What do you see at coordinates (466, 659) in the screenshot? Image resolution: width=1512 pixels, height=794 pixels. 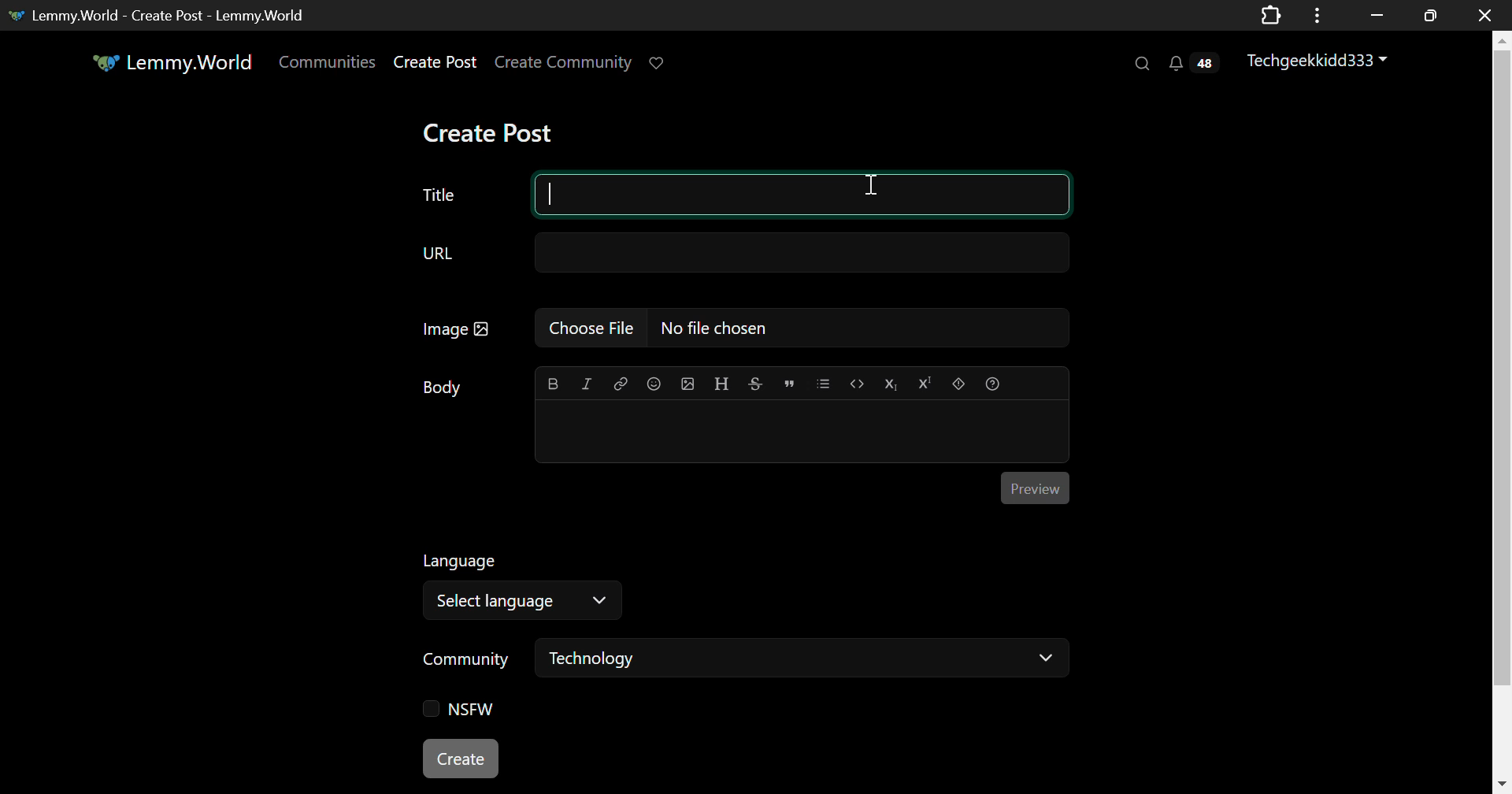 I see `Community` at bounding box center [466, 659].